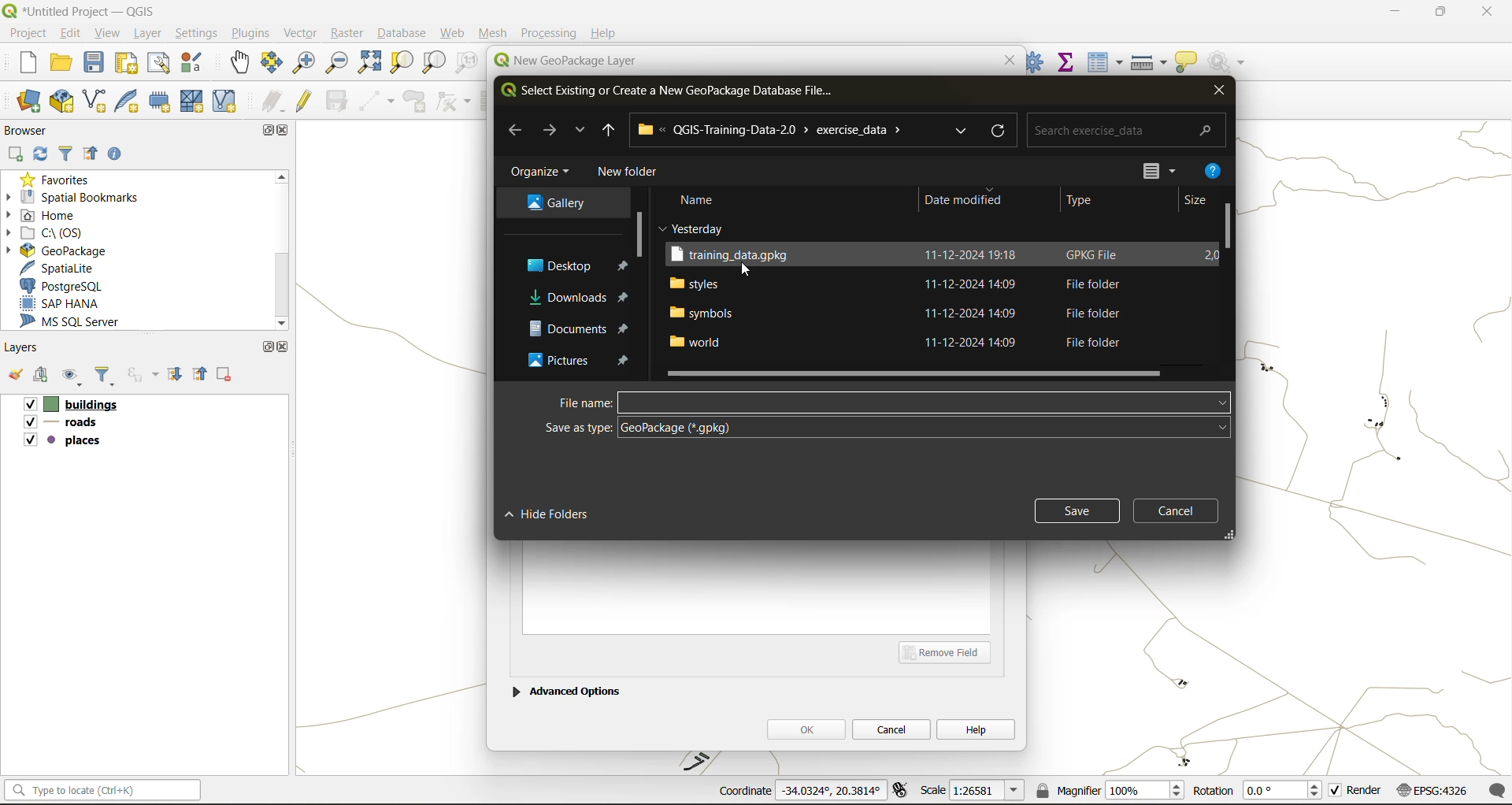  What do you see at coordinates (950, 651) in the screenshot?
I see `remove field` at bounding box center [950, 651].